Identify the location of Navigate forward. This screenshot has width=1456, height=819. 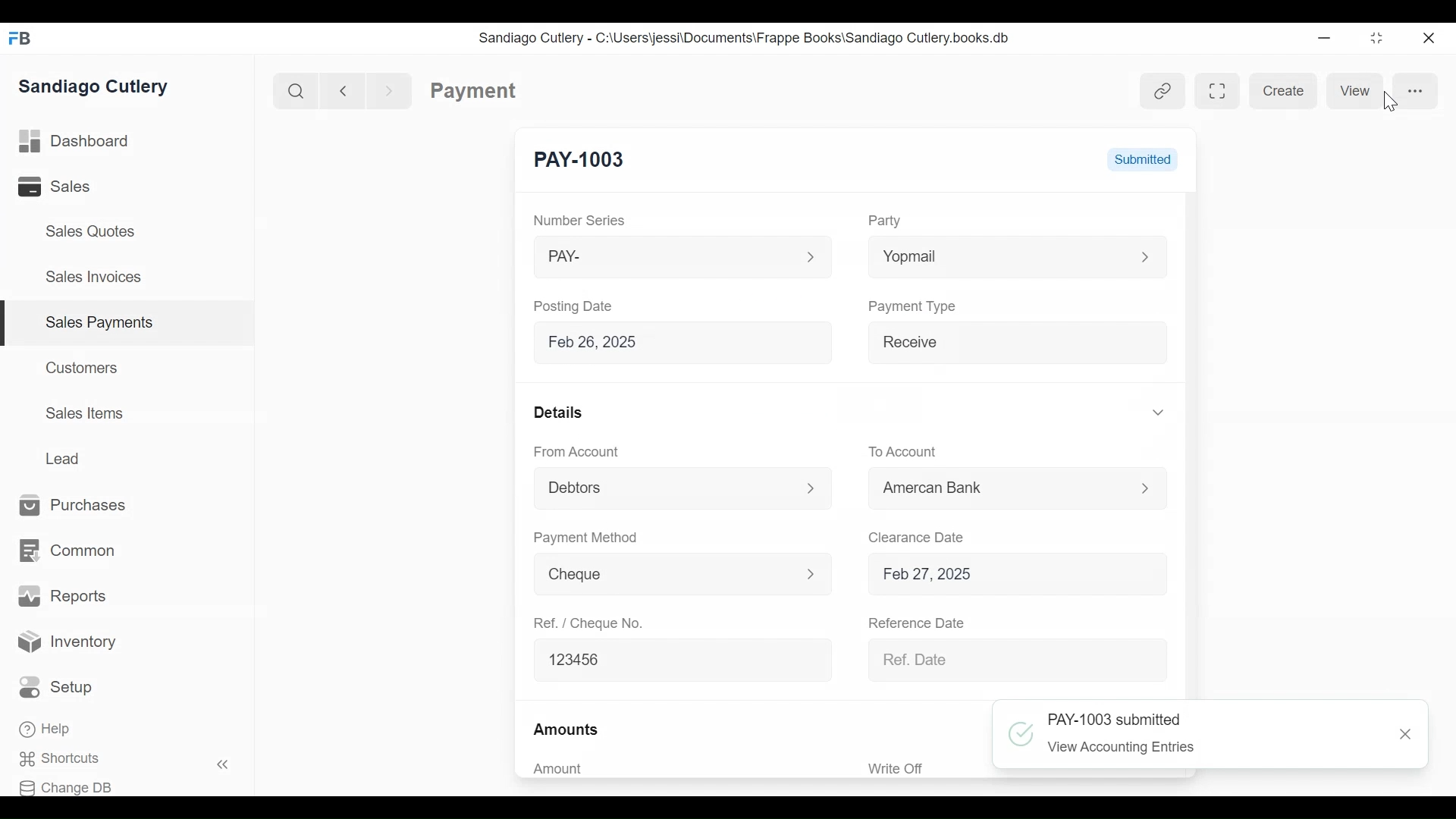
(390, 89).